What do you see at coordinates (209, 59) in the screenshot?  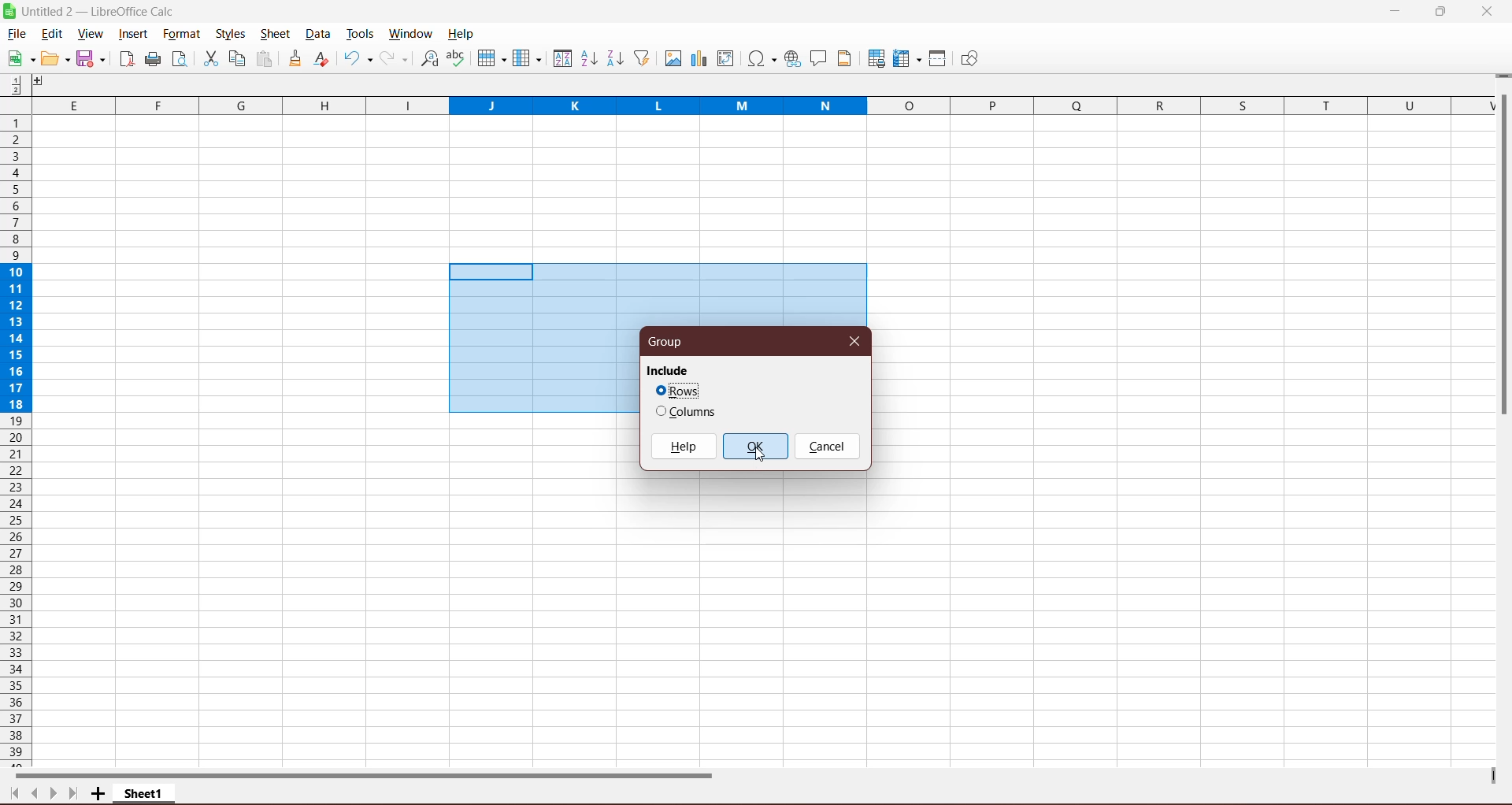 I see `Cut` at bounding box center [209, 59].